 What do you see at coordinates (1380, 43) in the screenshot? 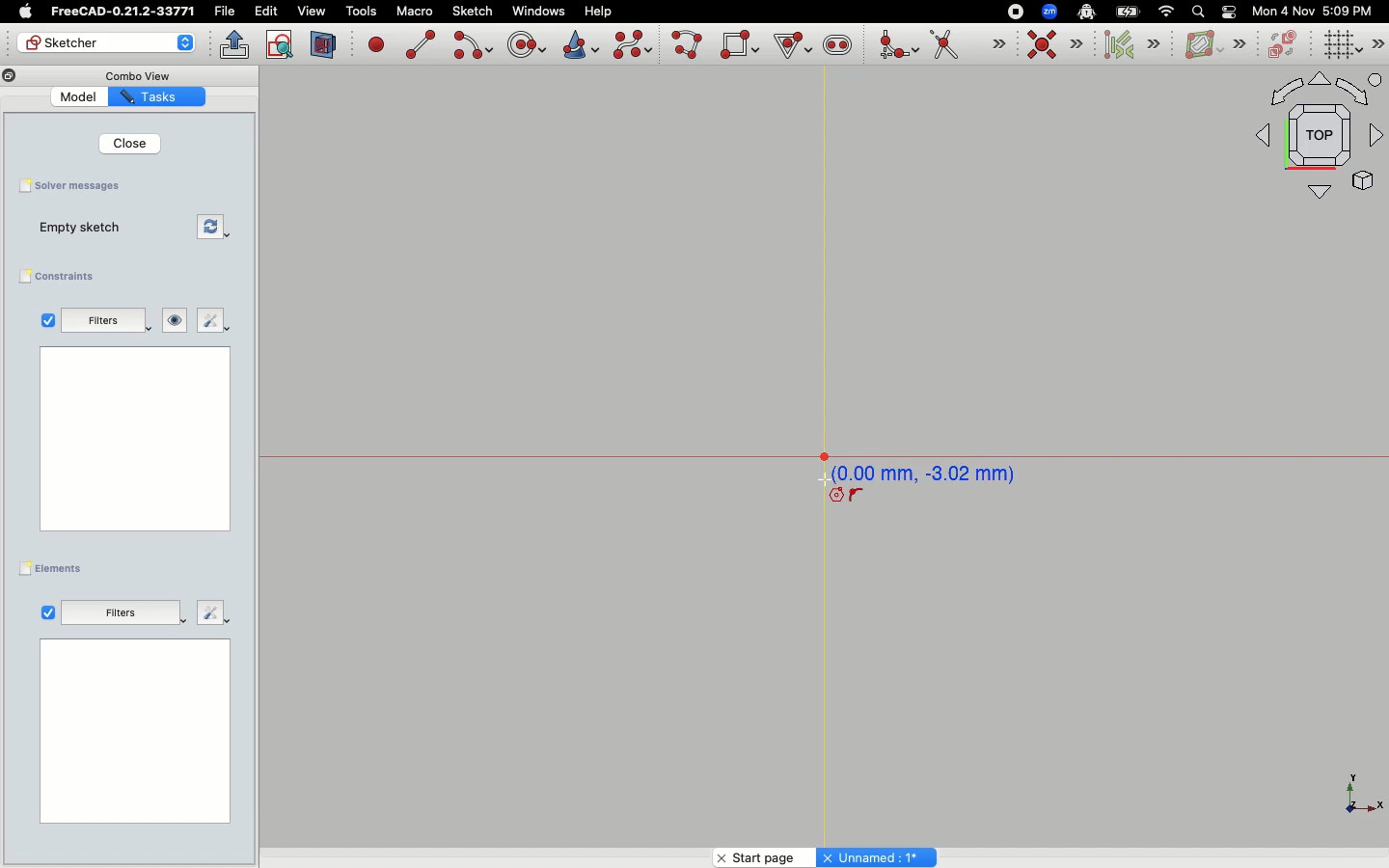
I see `Sketch editor tools` at bounding box center [1380, 43].